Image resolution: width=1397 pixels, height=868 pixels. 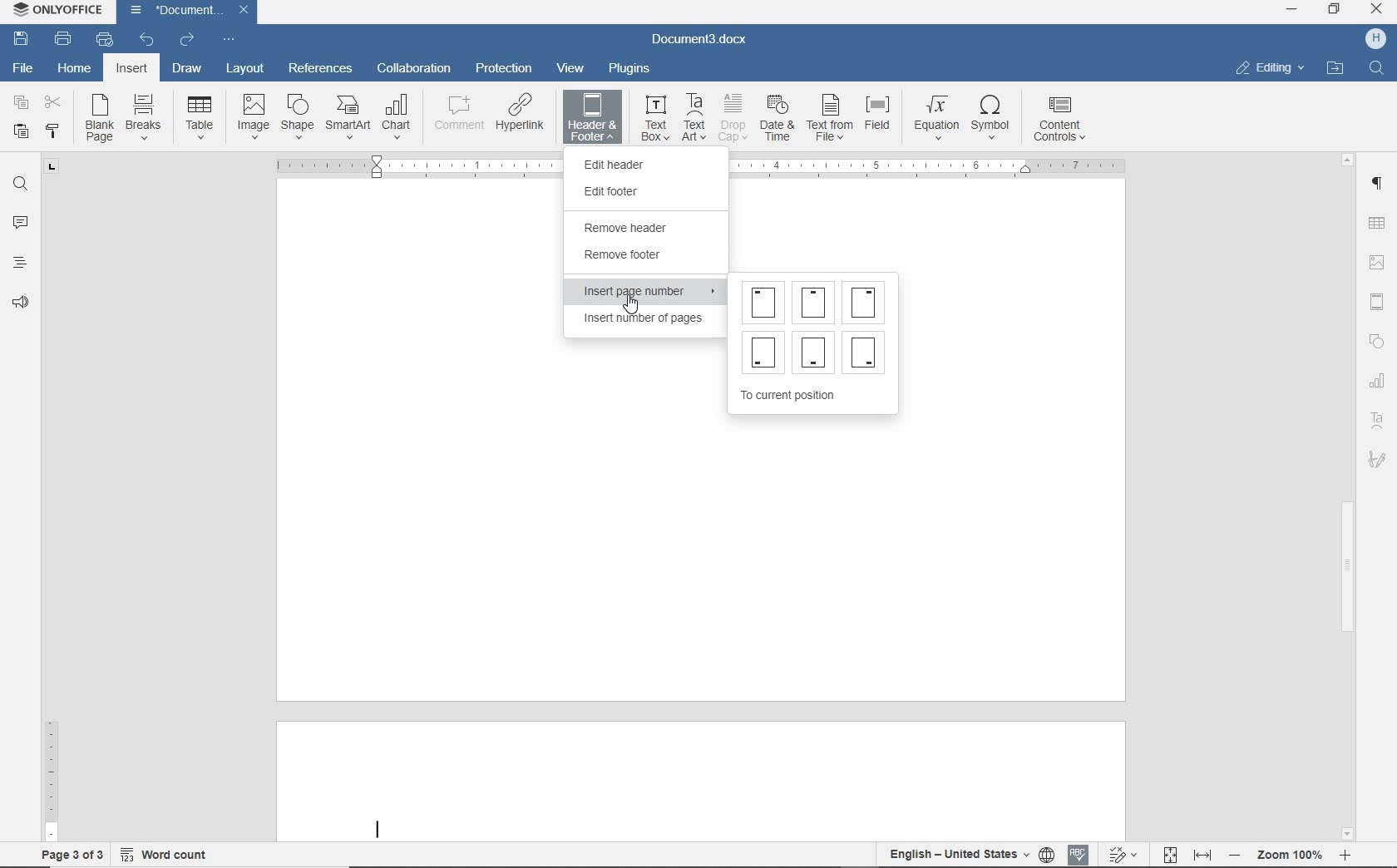 What do you see at coordinates (456, 118) in the screenshot?
I see `COMMENT` at bounding box center [456, 118].